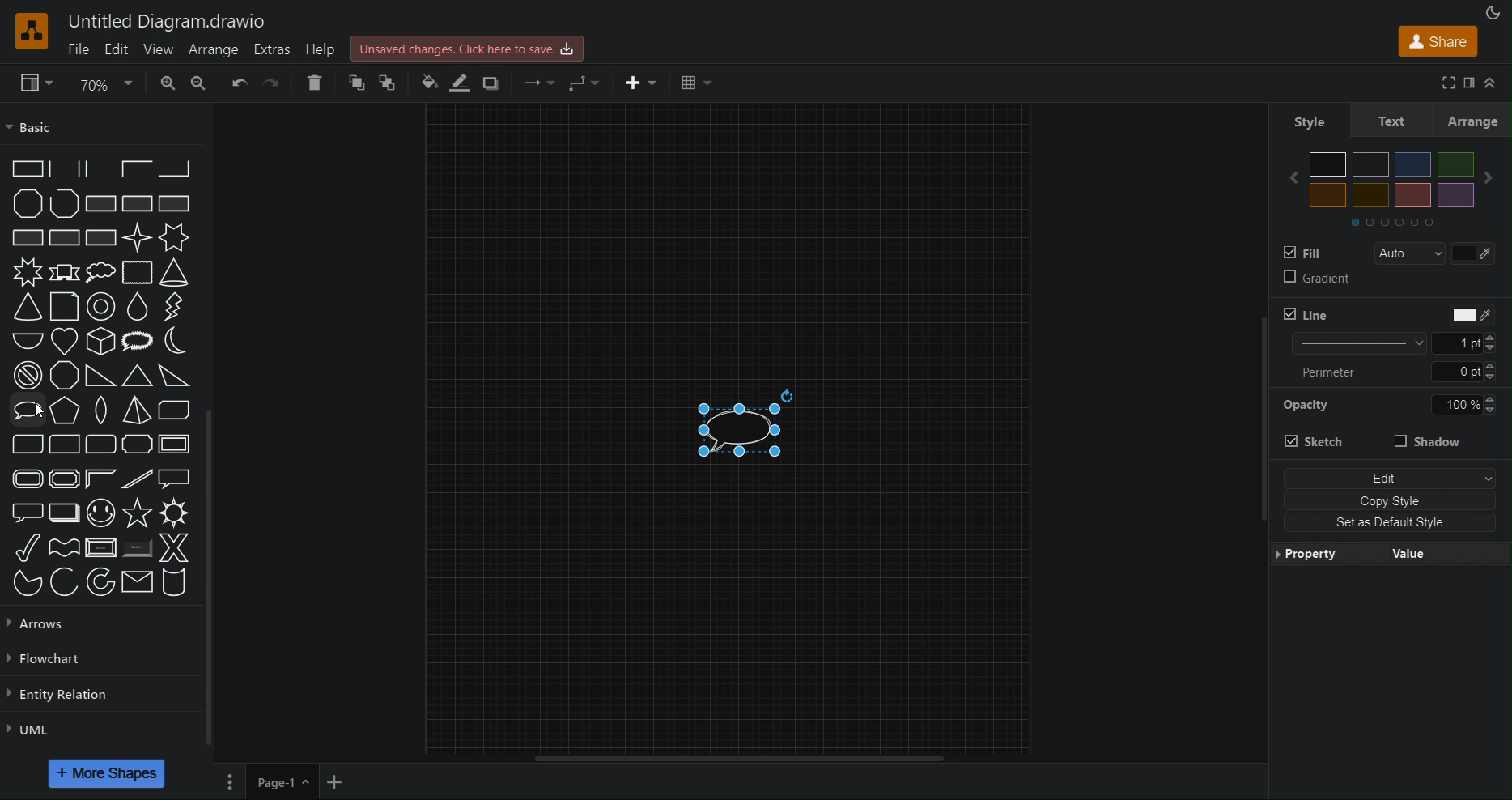  What do you see at coordinates (1323, 557) in the screenshot?
I see `Property ` at bounding box center [1323, 557].